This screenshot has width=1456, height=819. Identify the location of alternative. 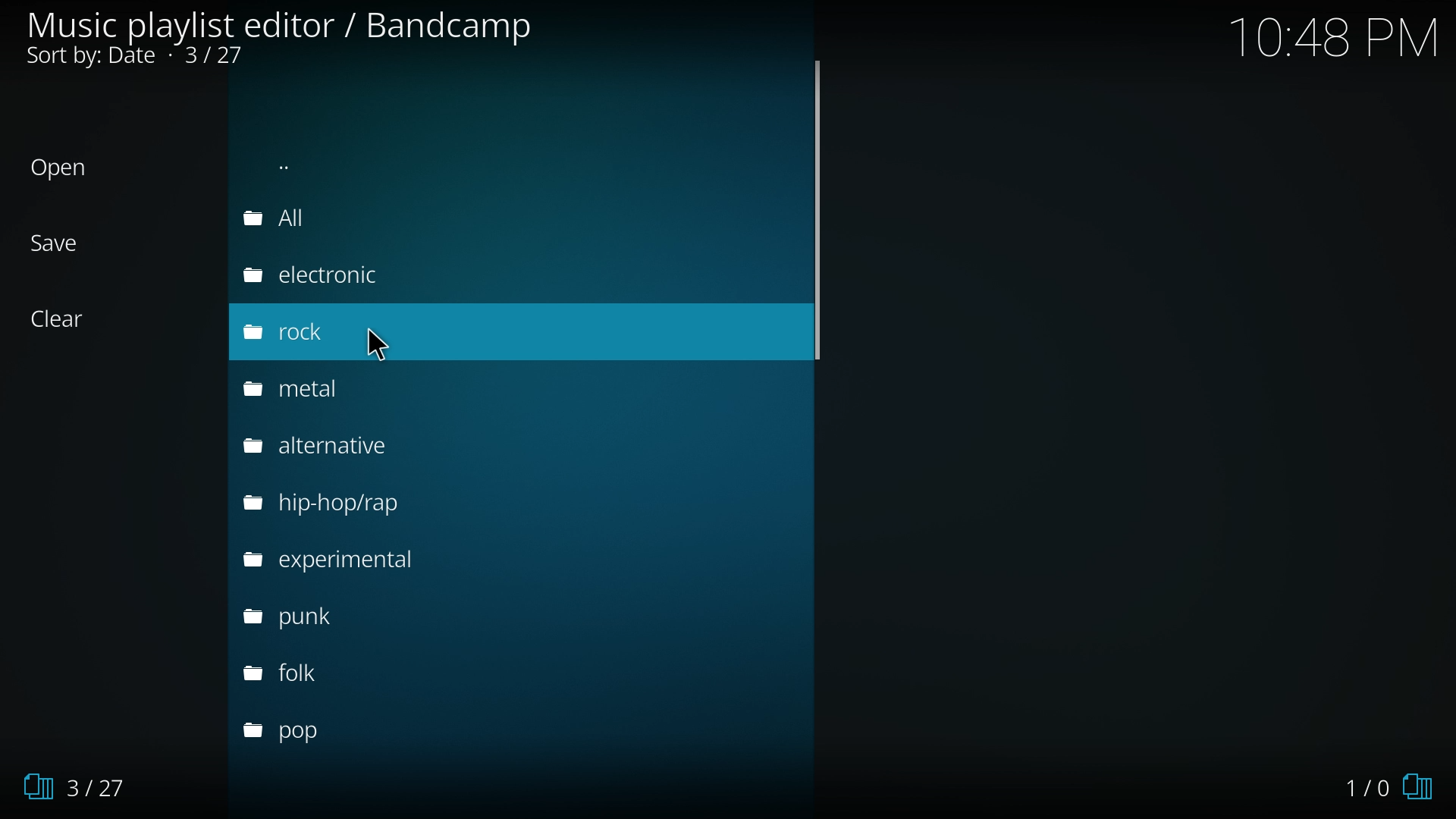
(343, 447).